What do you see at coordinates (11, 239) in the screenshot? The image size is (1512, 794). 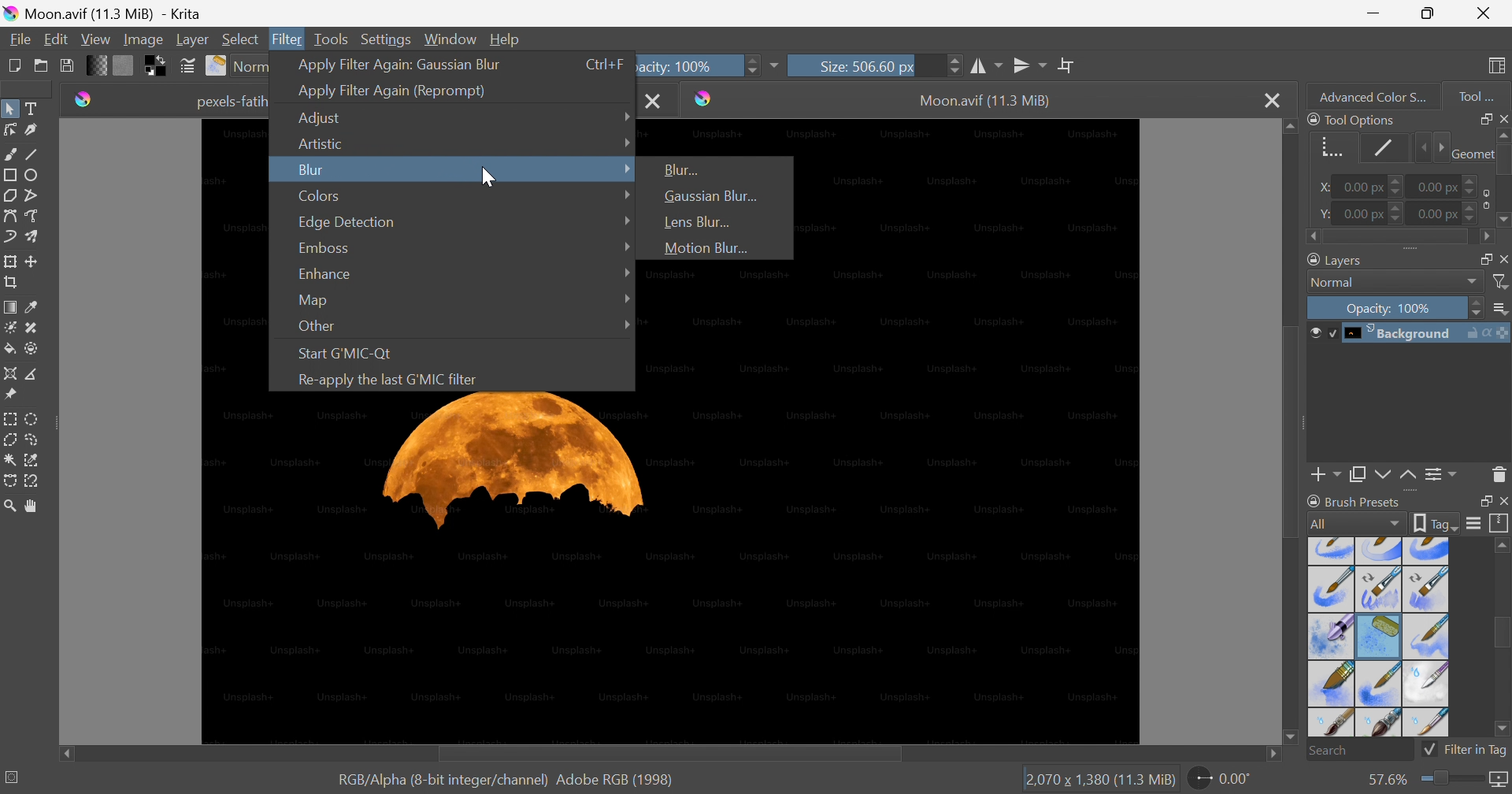 I see `Dynamic brush tool` at bounding box center [11, 239].